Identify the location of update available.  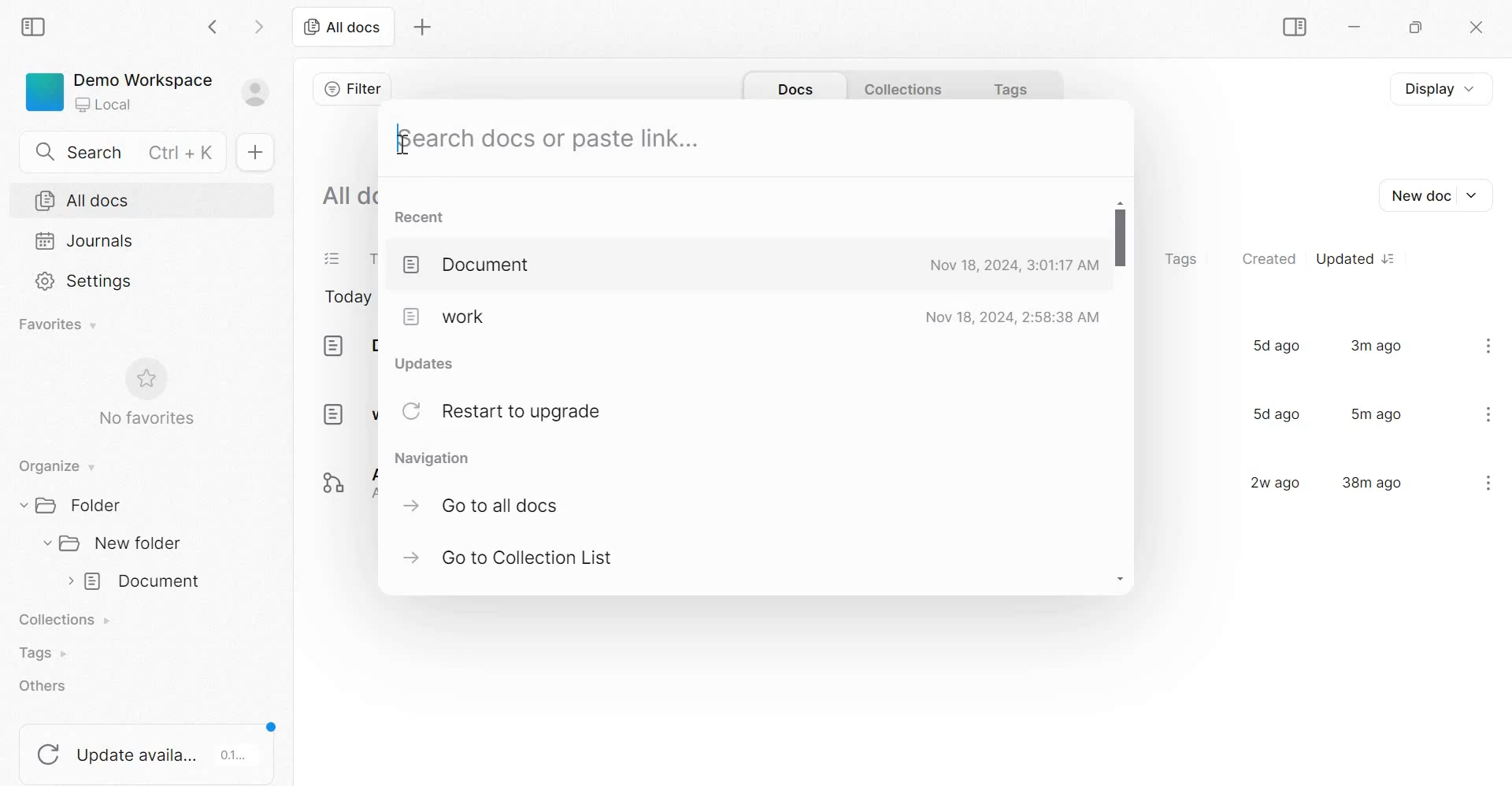
(149, 747).